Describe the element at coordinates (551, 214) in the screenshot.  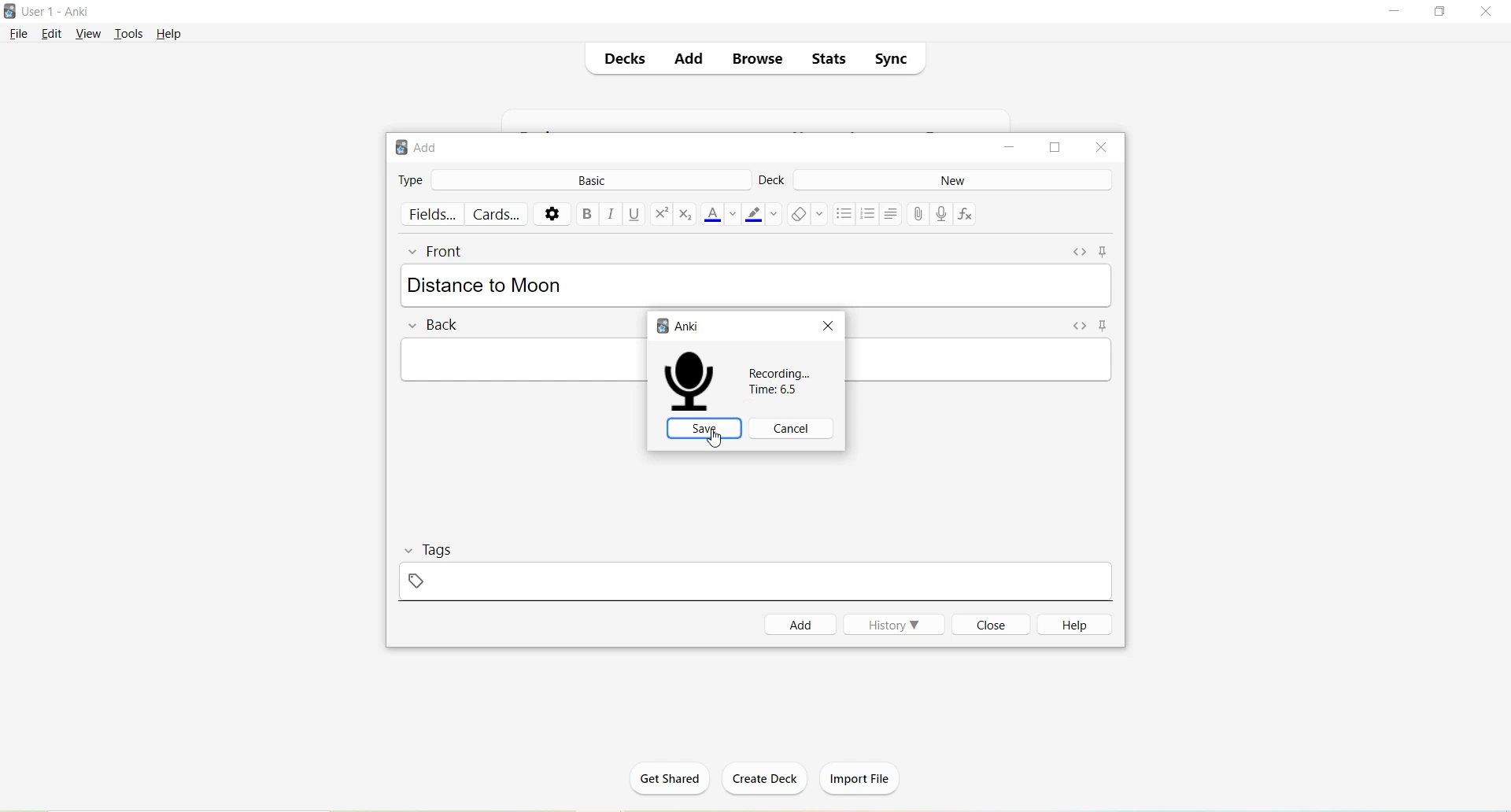
I see `Options` at that location.